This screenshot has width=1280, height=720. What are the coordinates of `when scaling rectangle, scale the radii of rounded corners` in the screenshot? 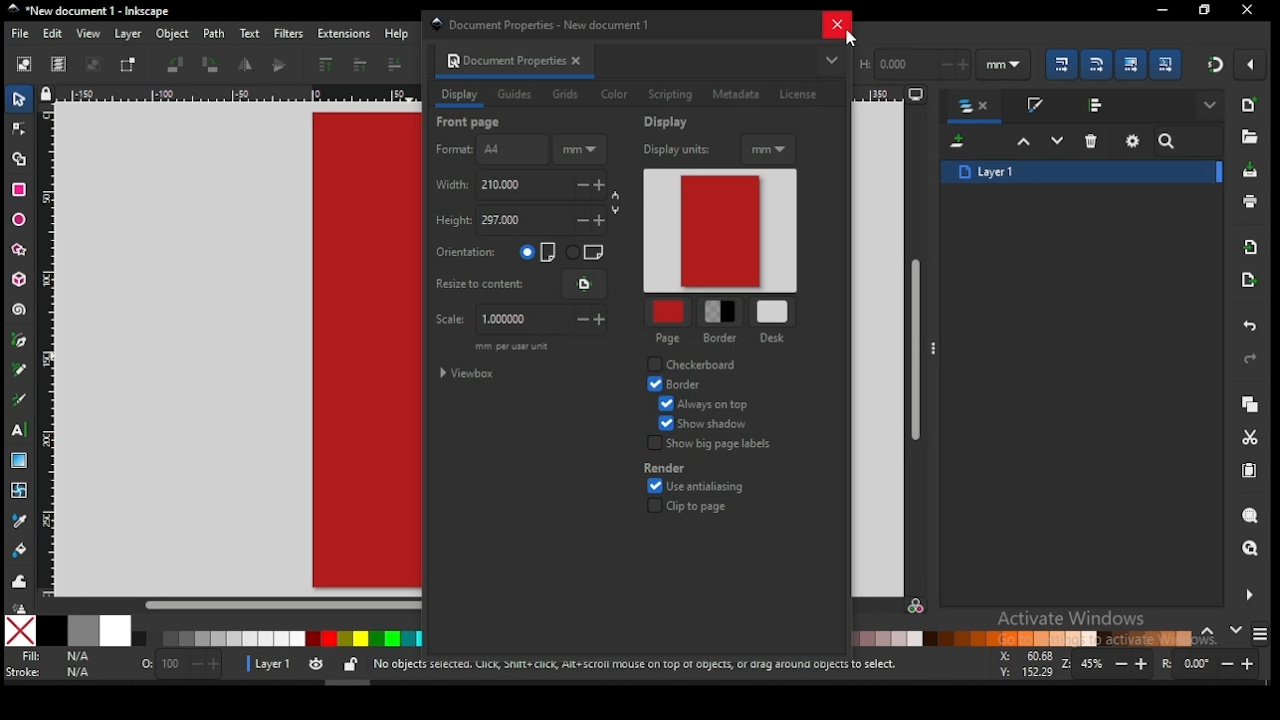 It's located at (1095, 64).